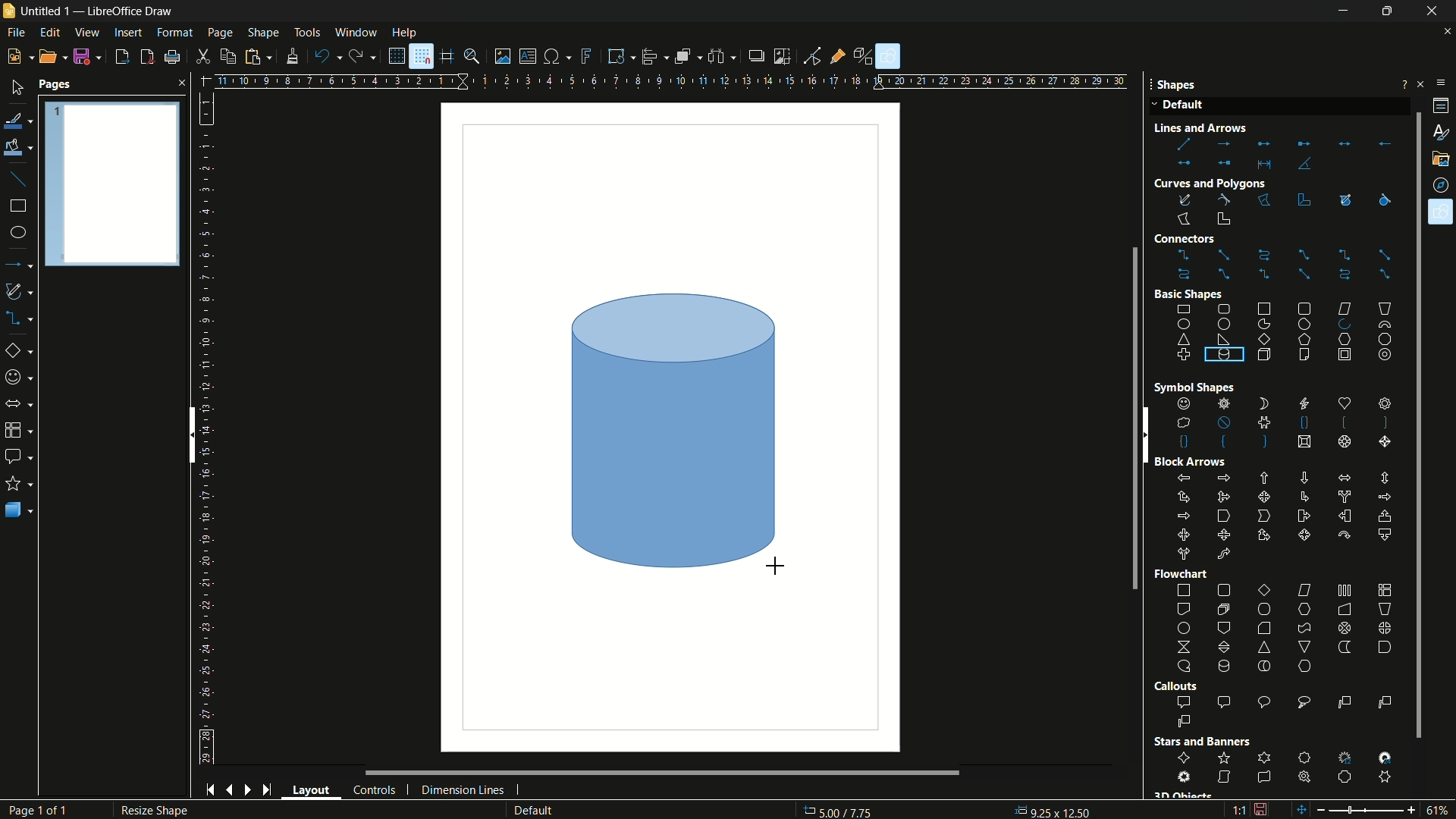  I want to click on cursor, so click(575, 296).